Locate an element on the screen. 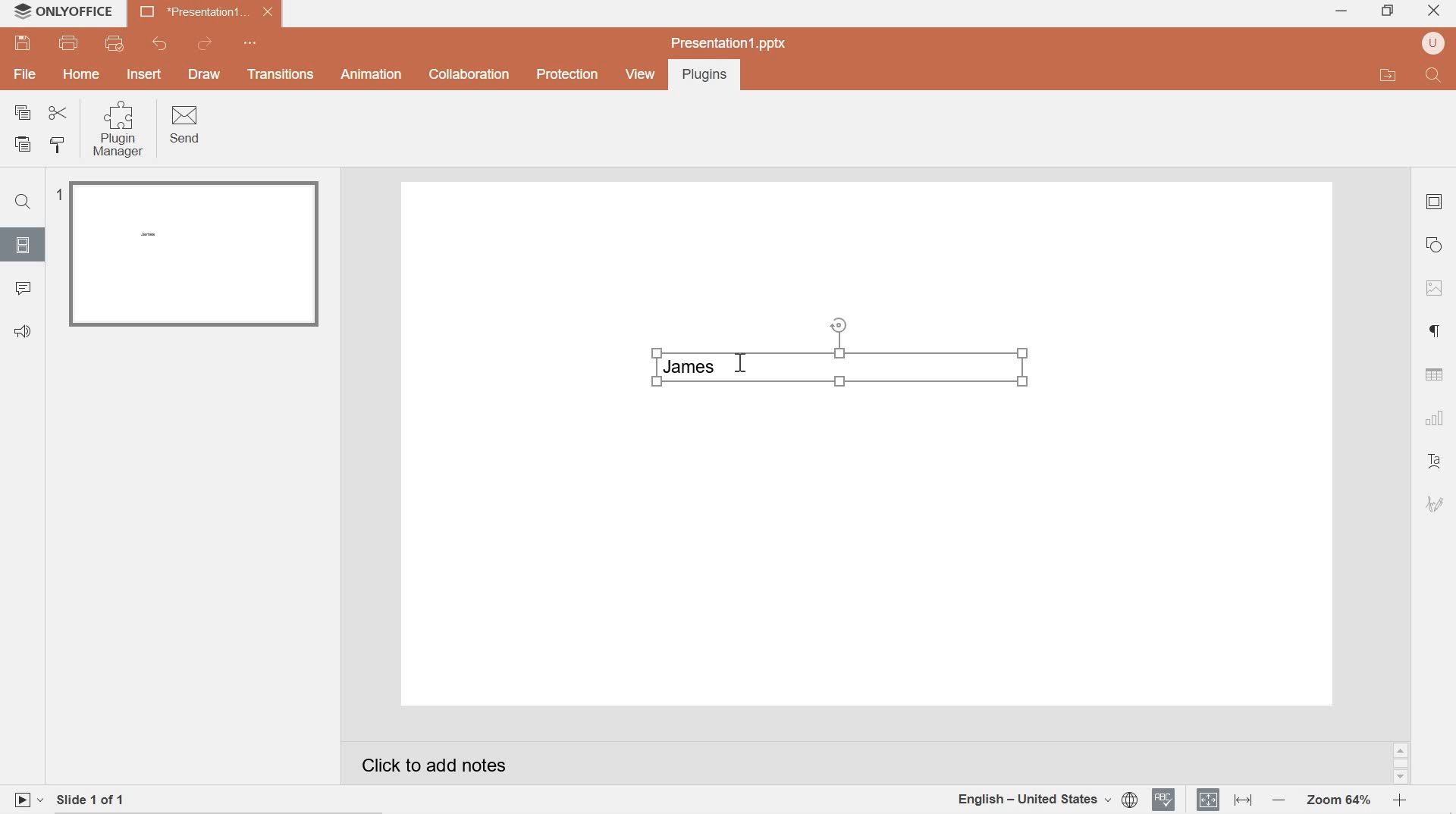 Image resolution: width=1456 pixels, height=814 pixels. Zoom out is located at coordinates (1278, 800).